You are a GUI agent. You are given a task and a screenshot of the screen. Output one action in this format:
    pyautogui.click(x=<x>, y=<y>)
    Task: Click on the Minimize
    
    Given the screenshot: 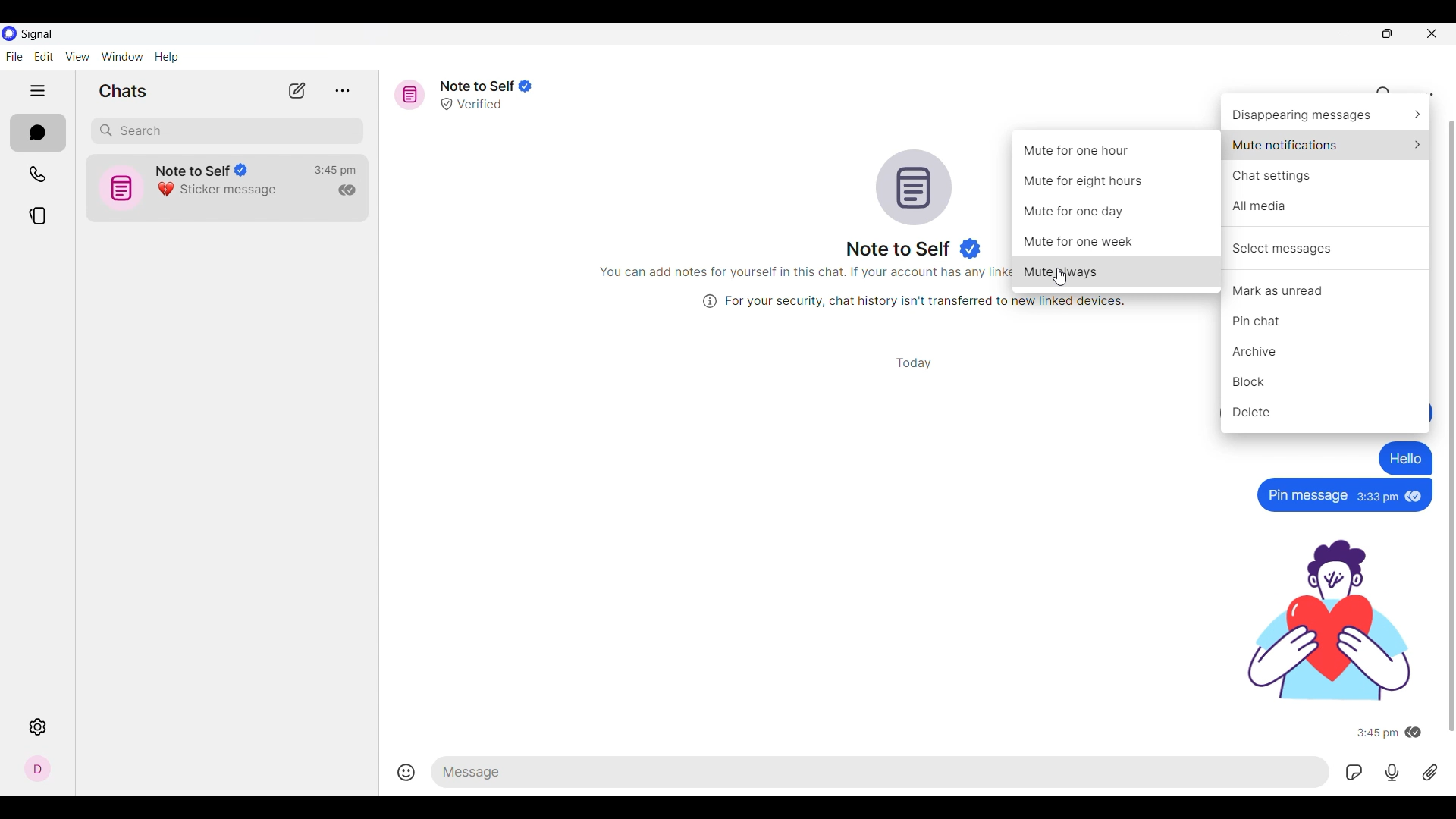 What is the action you would take?
    pyautogui.click(x=1344, y=32)
    